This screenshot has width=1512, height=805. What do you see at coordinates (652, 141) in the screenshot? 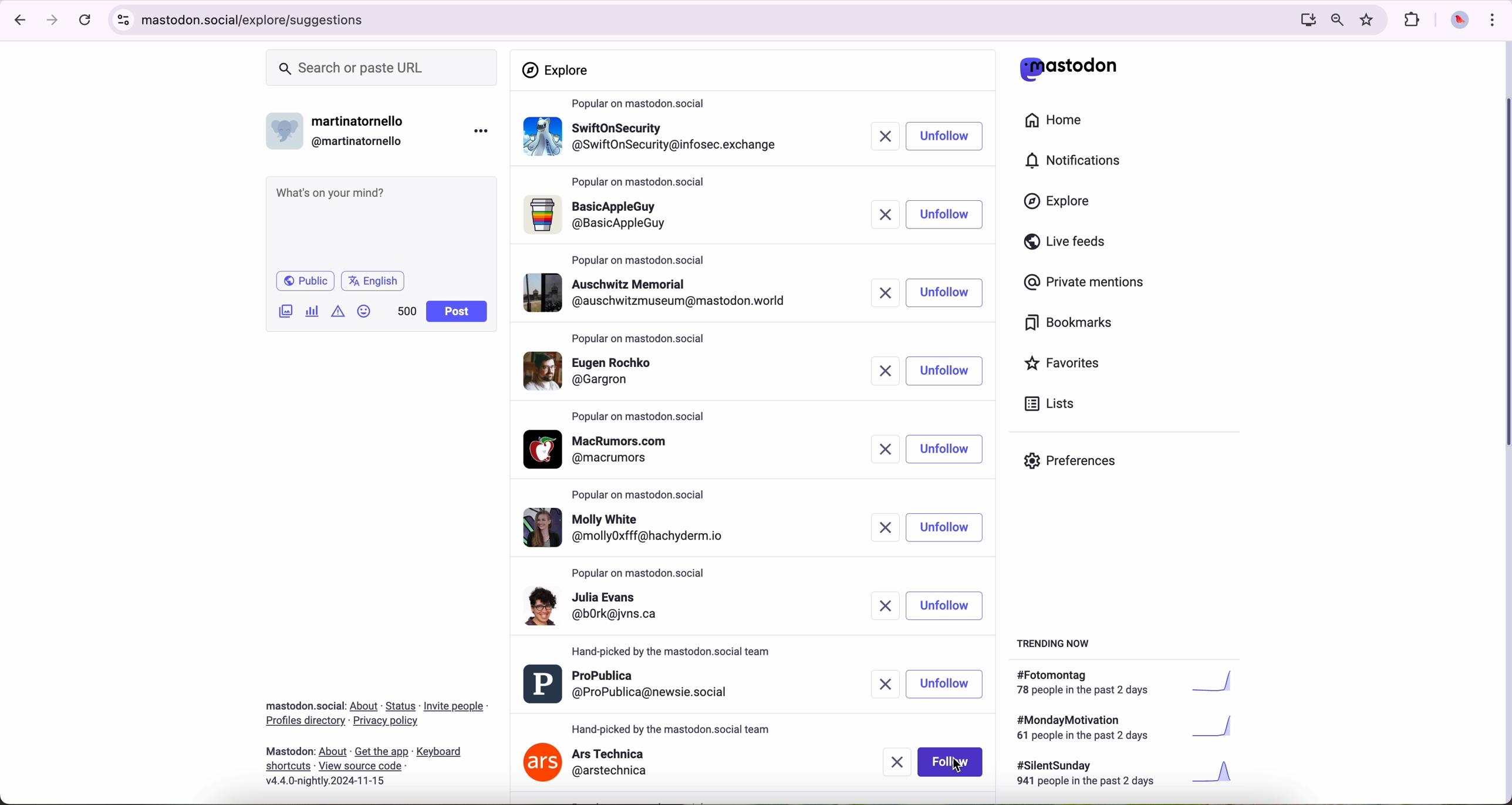
I see `profile` at bounding box center [652, 141].